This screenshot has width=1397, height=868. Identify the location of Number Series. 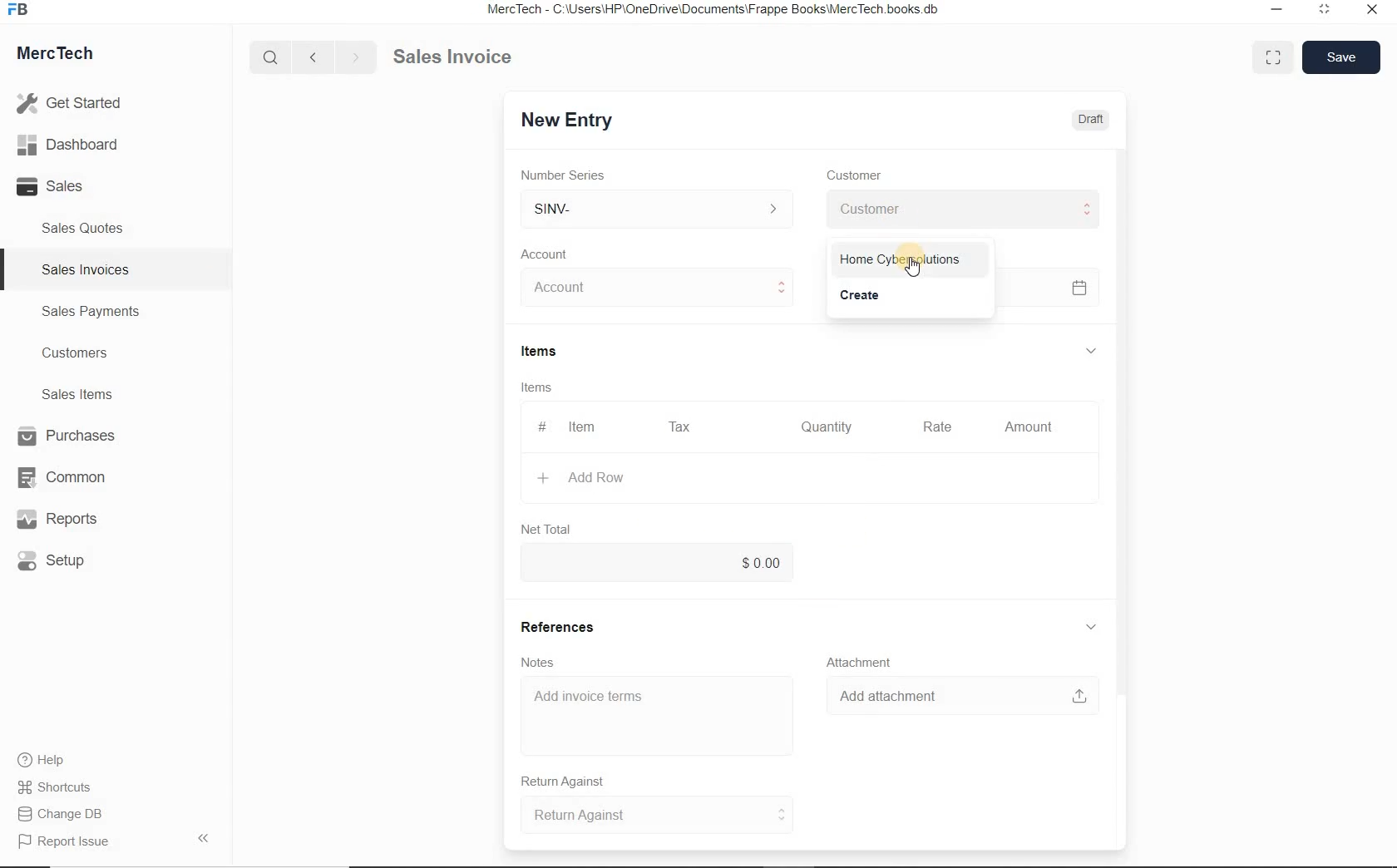
(568, 175).